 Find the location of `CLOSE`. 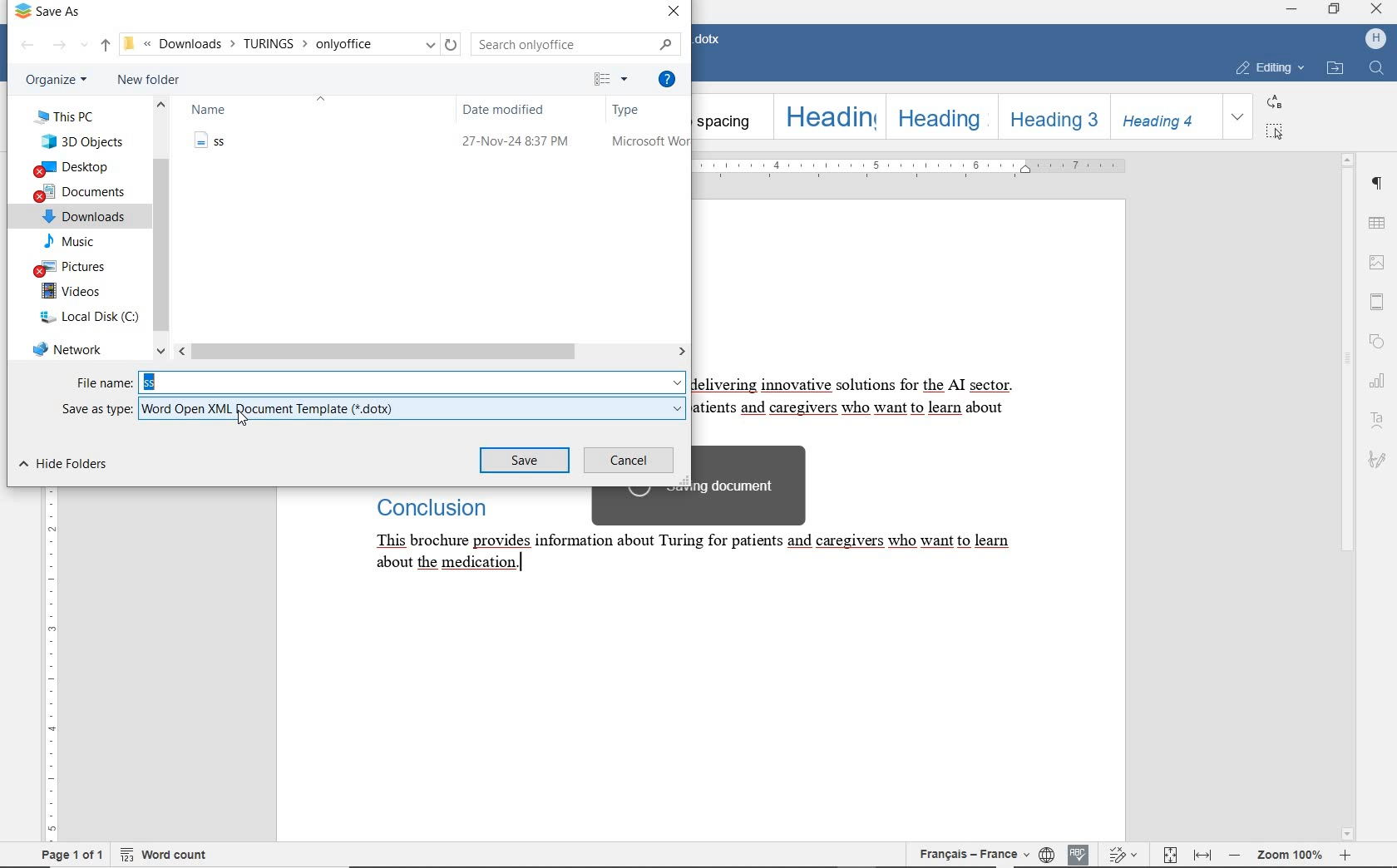

CLOSE is located at coordinates (676, 12).